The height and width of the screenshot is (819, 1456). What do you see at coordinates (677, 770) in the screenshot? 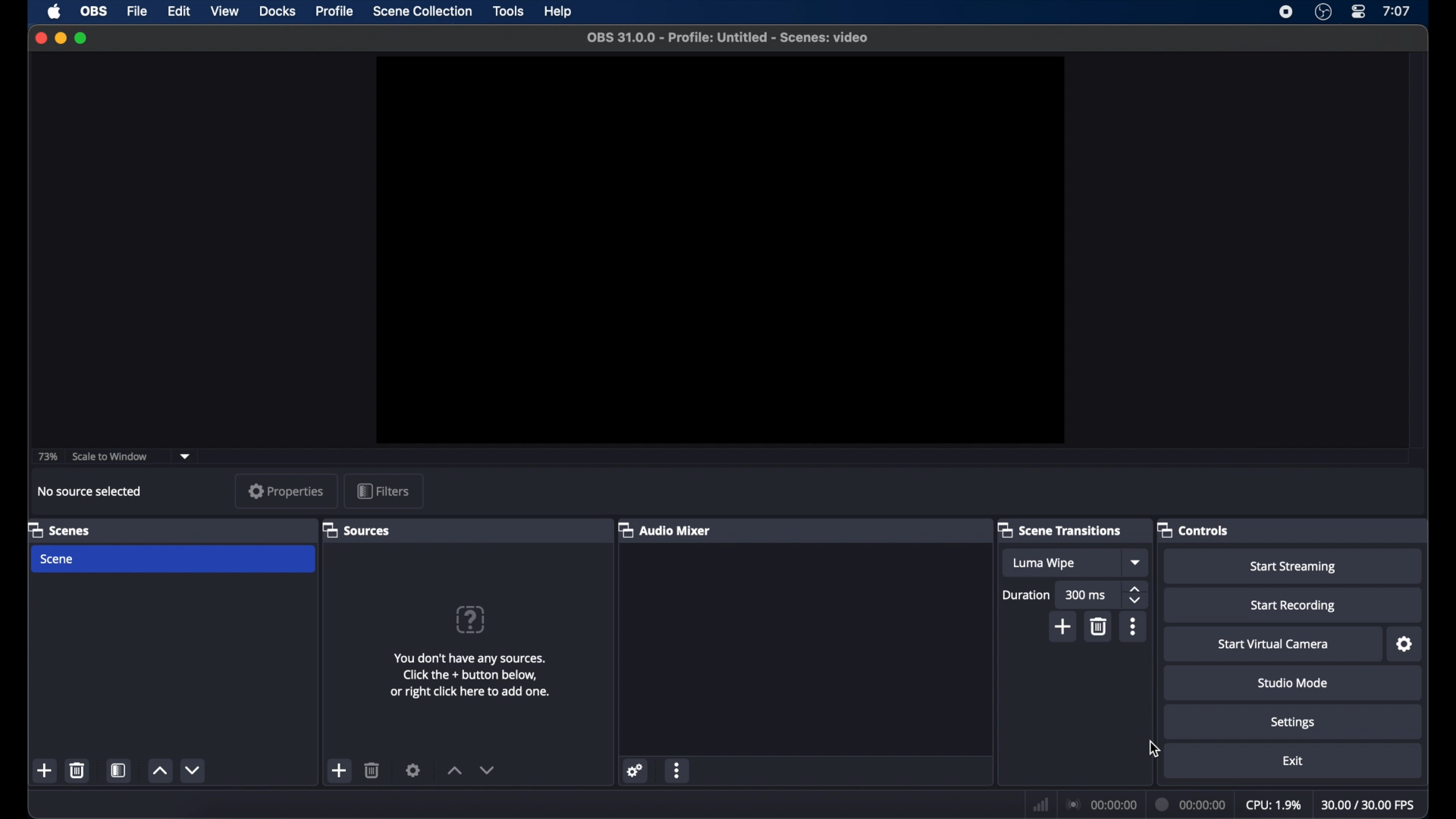
I see `more options` at bounding box center [677, 770].